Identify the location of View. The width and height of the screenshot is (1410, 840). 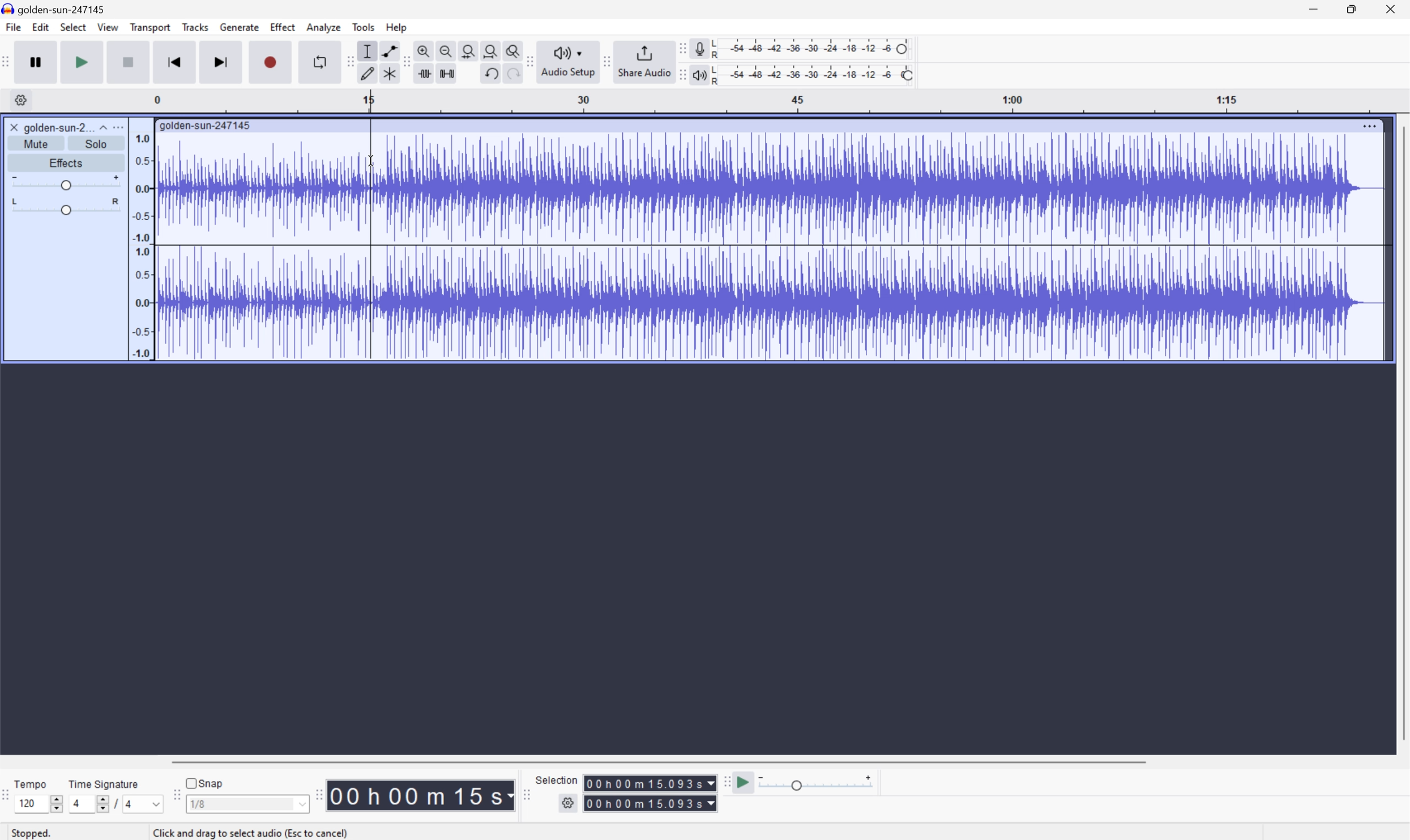
(109, 29).